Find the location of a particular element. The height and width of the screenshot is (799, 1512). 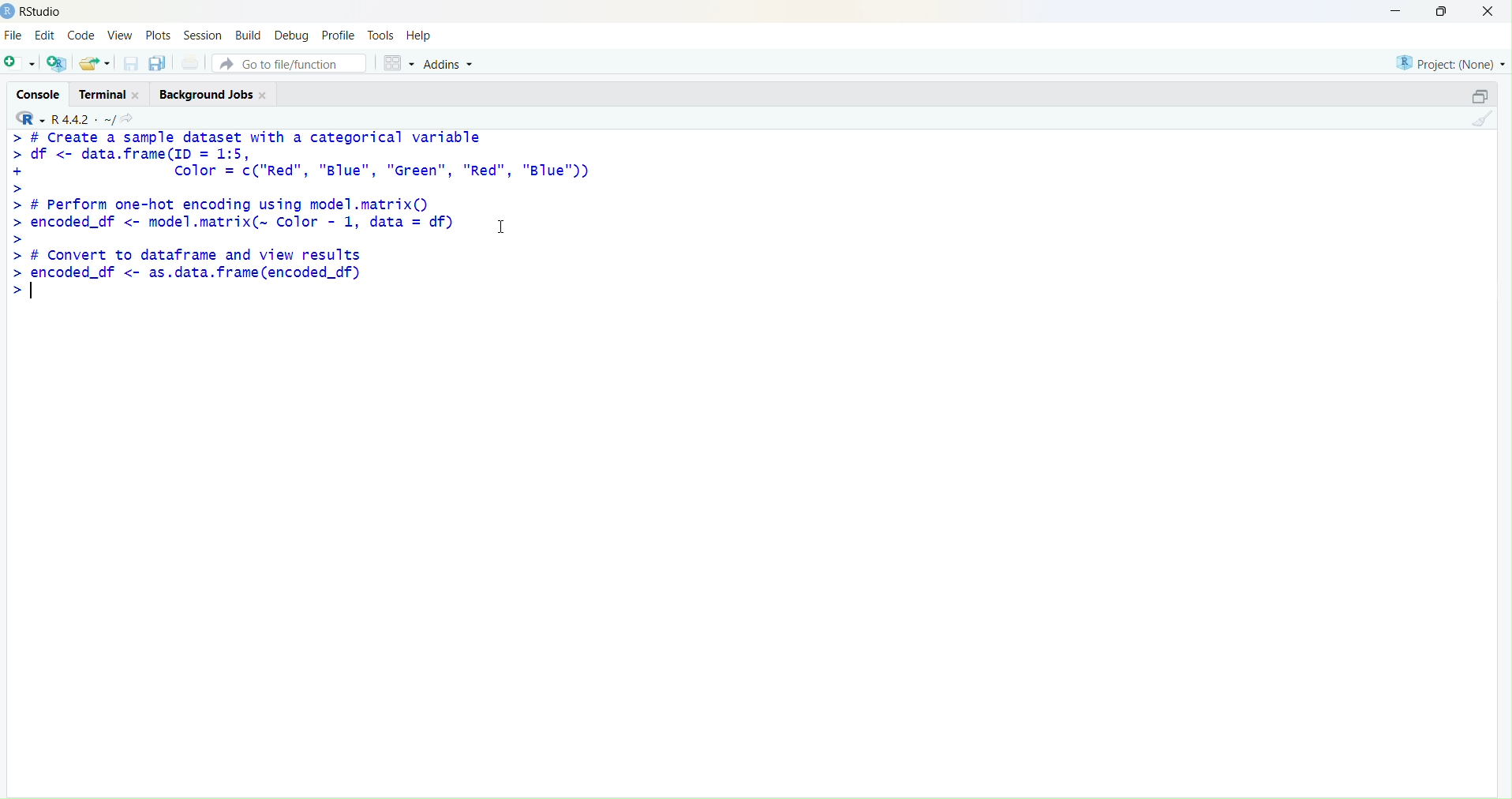

RStudio is located at coordinates (43, 12).